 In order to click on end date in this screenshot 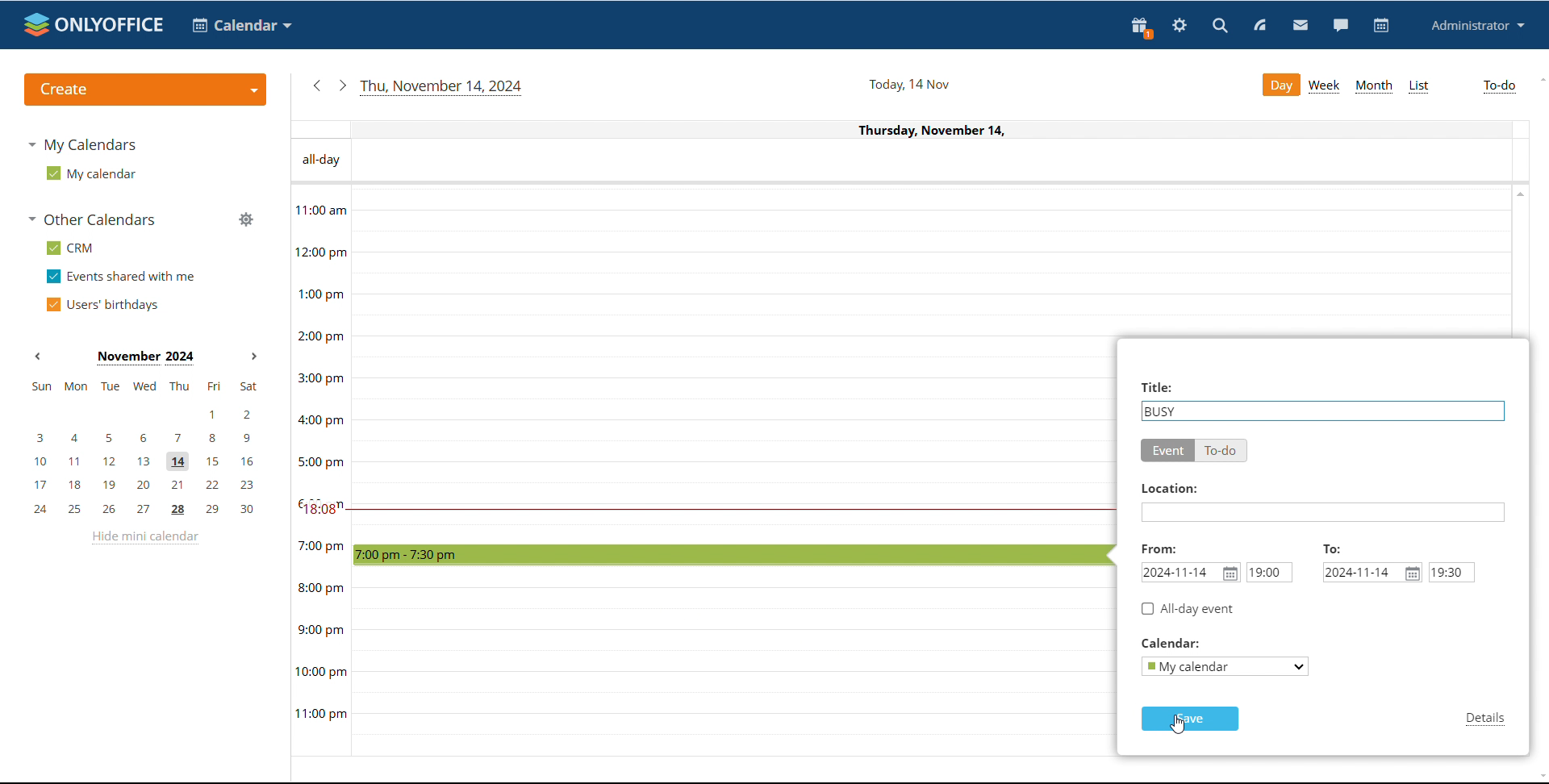, I will do `click(1373, 573)`.